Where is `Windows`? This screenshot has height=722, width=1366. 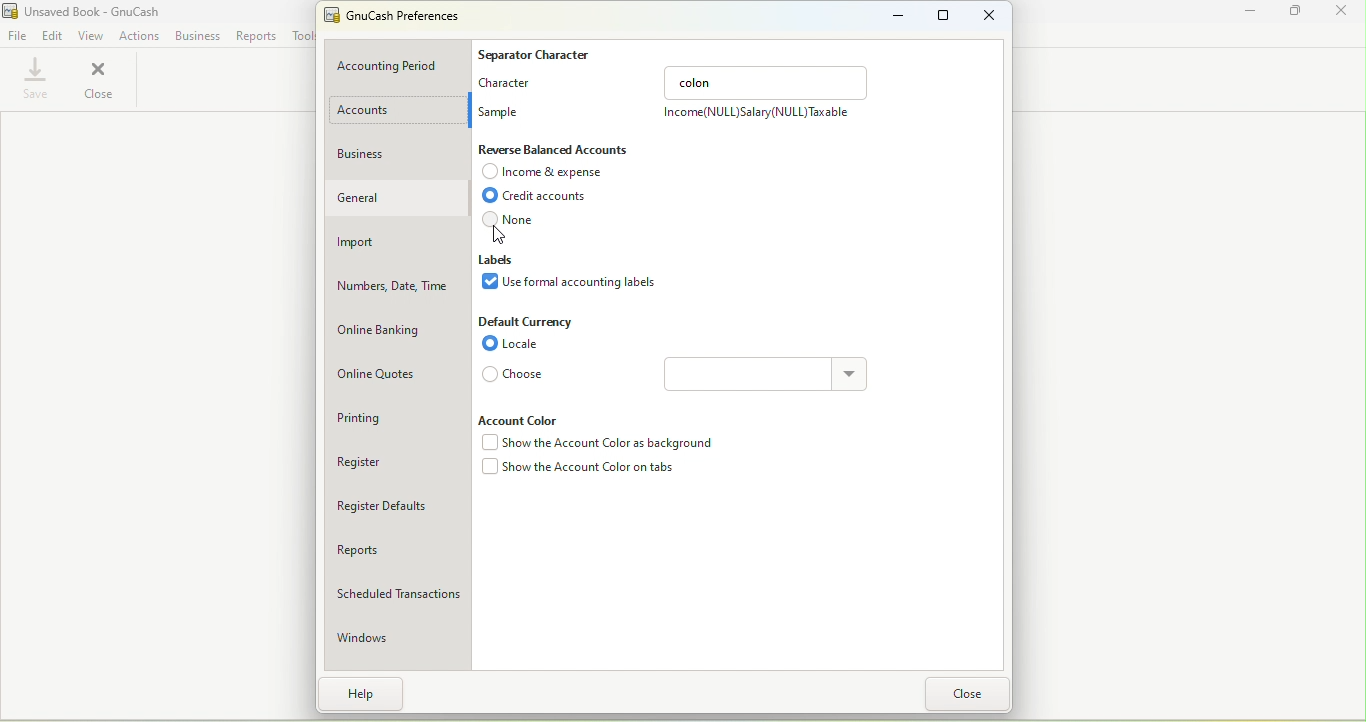 Windows is located at coordinates (400, 640).